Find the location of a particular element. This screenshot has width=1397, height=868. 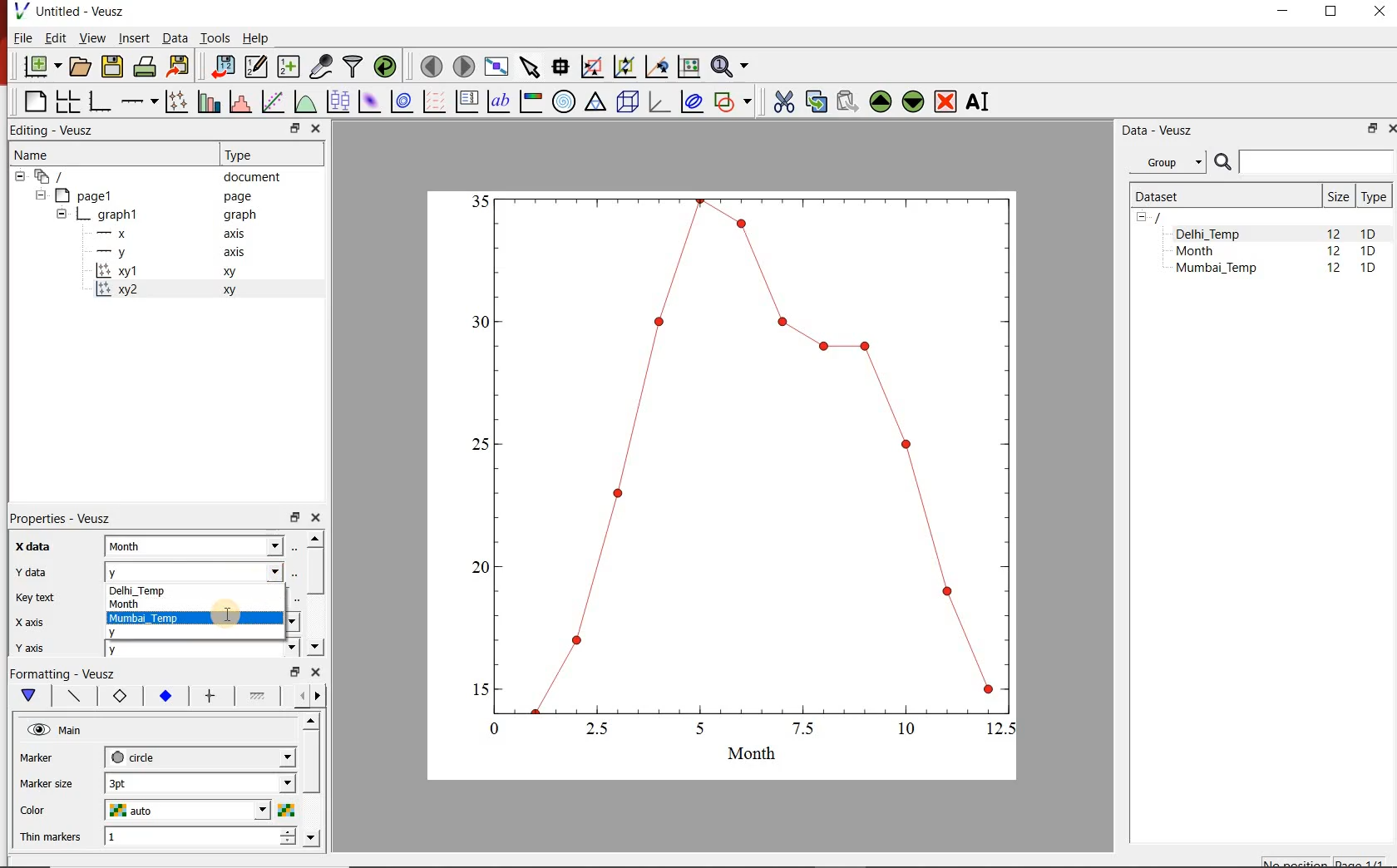

Size is located at coordinates (1338, 196).